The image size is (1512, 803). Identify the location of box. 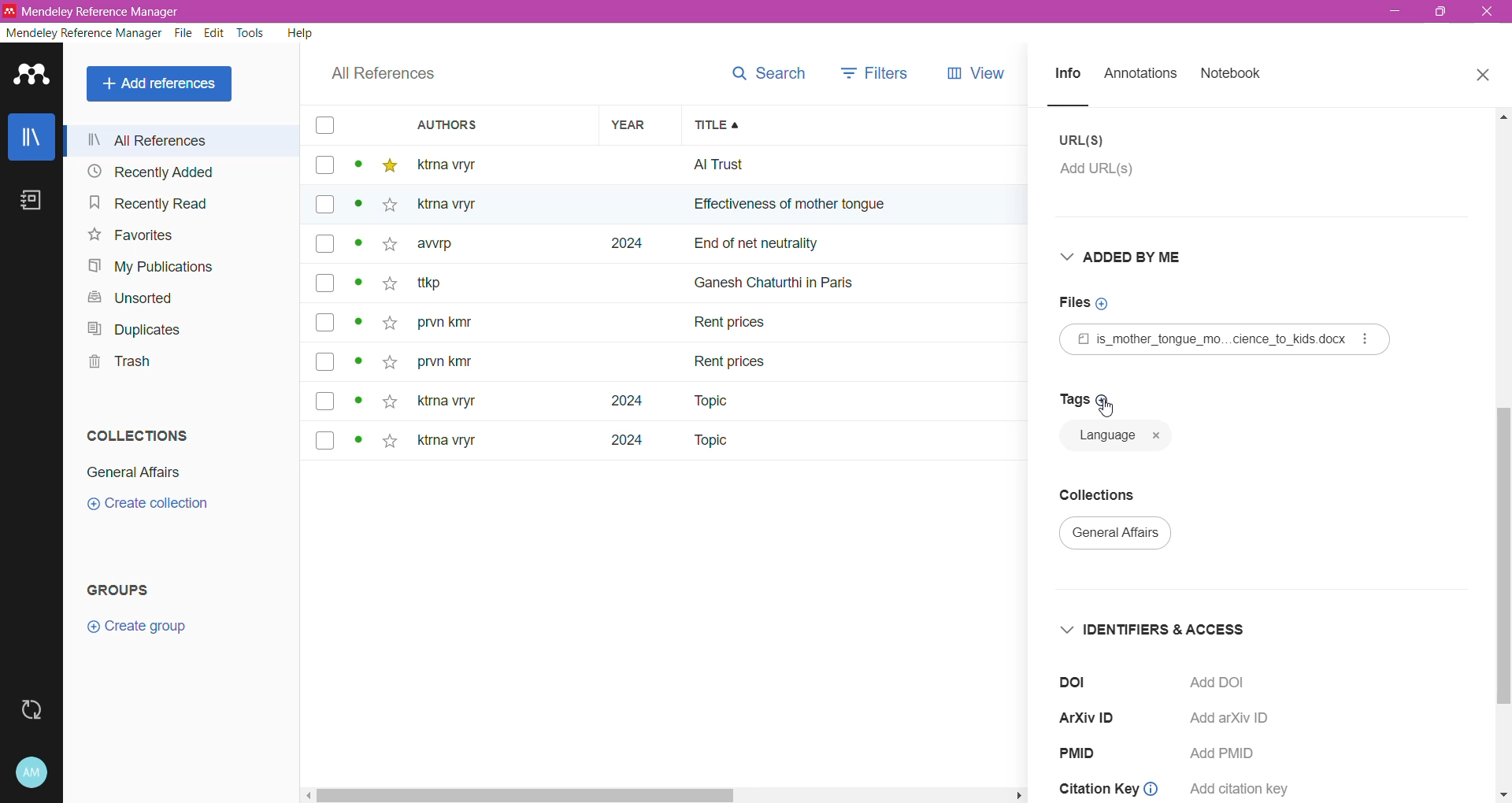
(325, 246).